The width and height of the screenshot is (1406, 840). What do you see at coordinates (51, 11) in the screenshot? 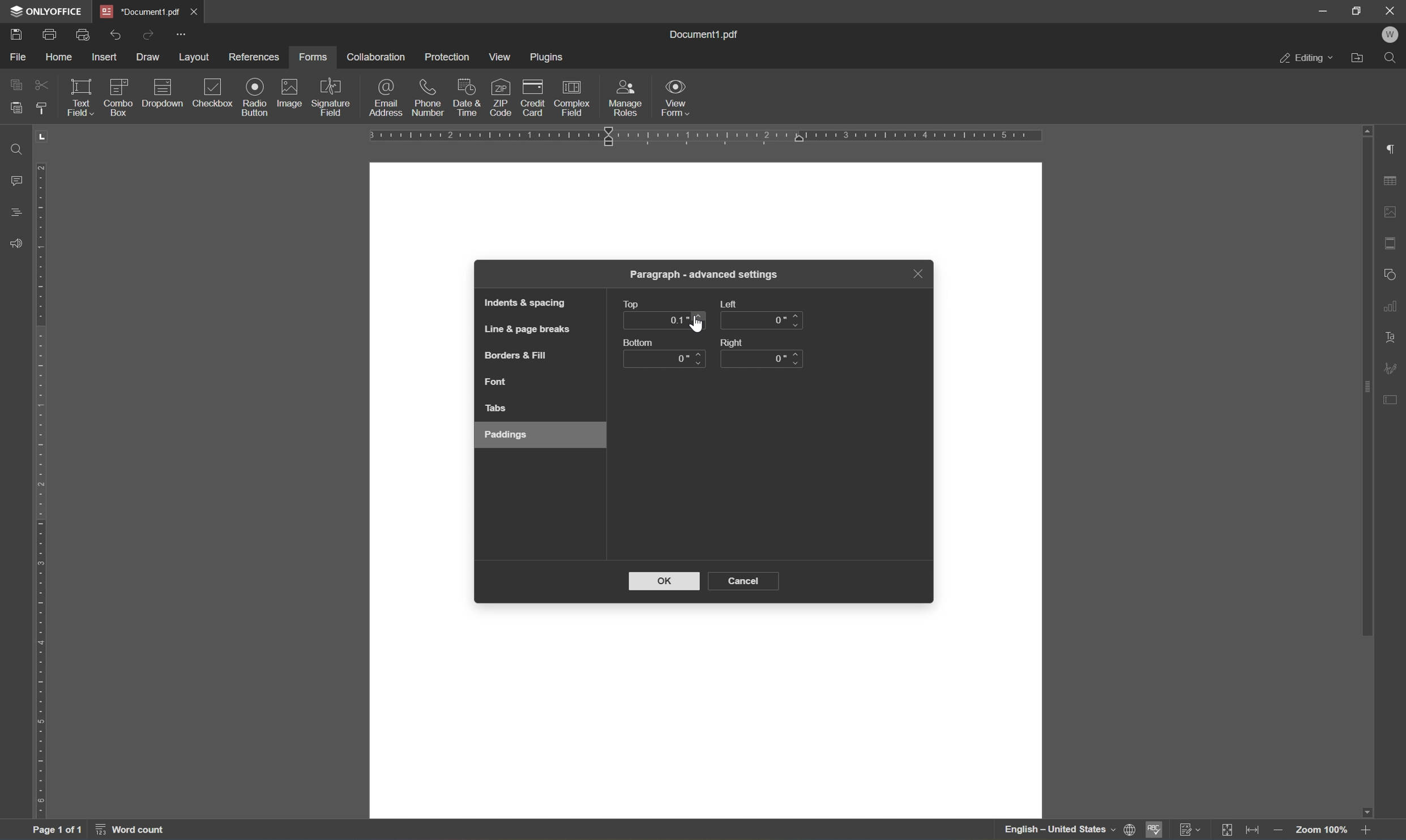
I see `ONLYOFFICE` at bounding box center [51, 11].